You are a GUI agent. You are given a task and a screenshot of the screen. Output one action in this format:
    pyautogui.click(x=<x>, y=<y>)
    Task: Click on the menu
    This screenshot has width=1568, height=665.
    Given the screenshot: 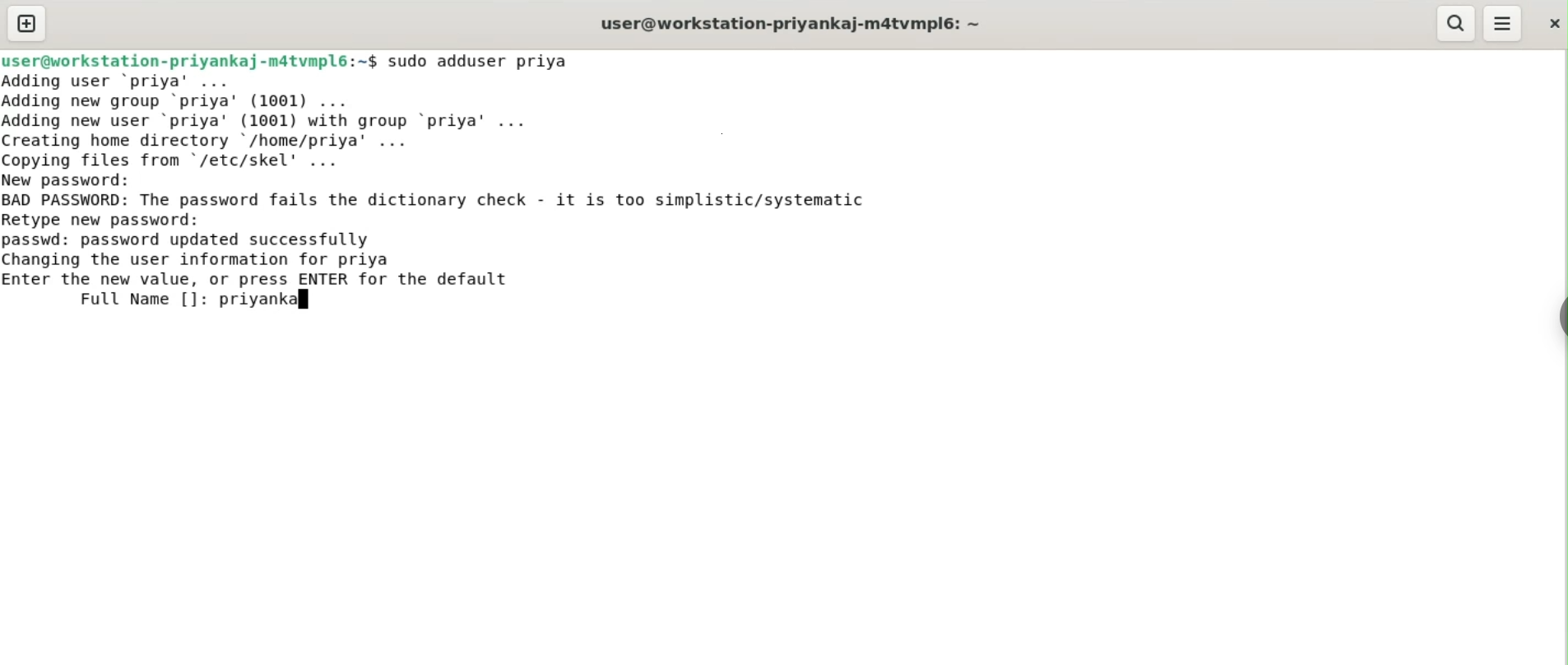 What is the action you would take?
    pyautogui.click(x=1503, y=24)
    